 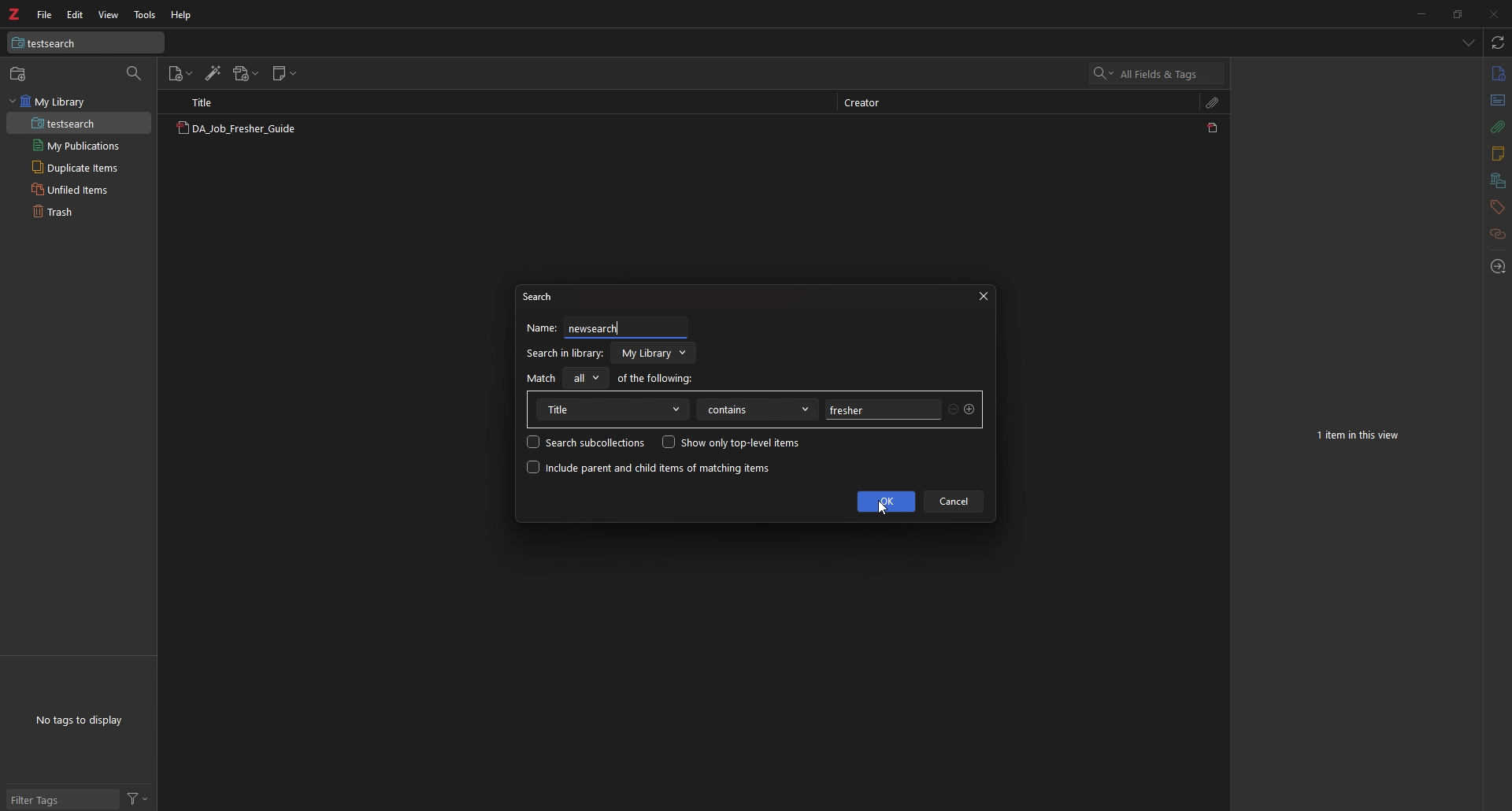 What do you see at coordinates (1499, 101) in the screenshot?
I see `abstract` at bounding box center [1499, 101].